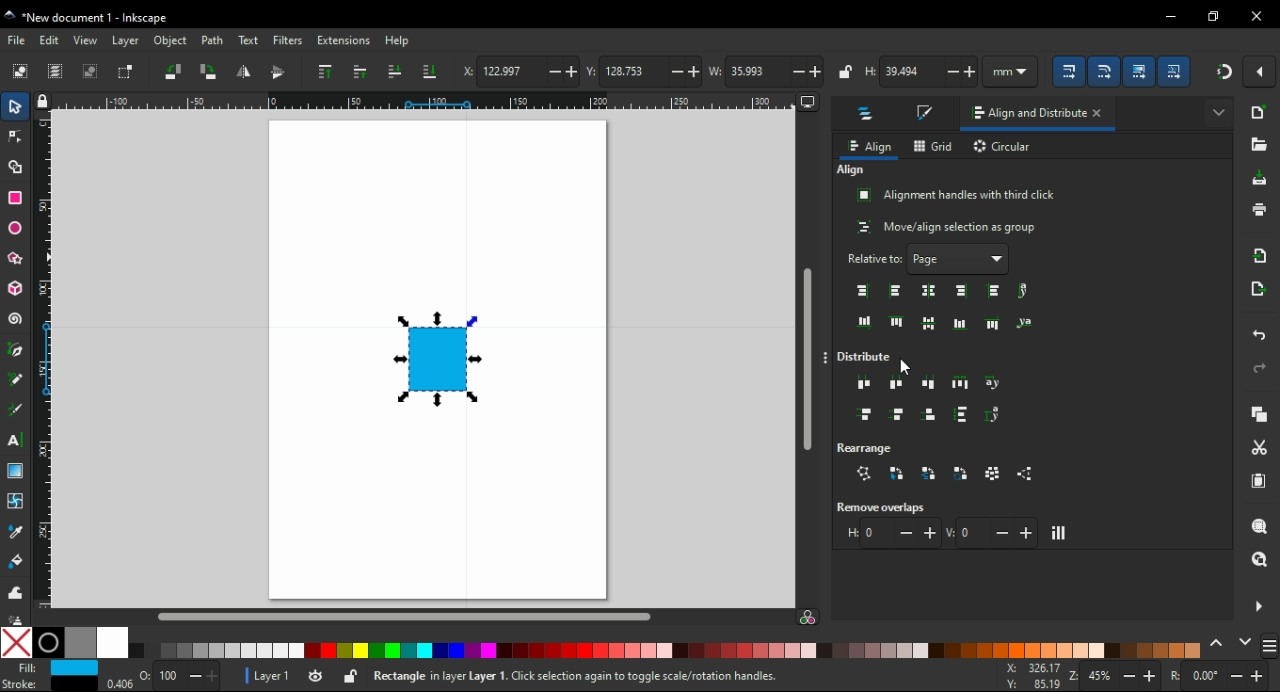  I want to click on pencil tool, so click(16, 380).